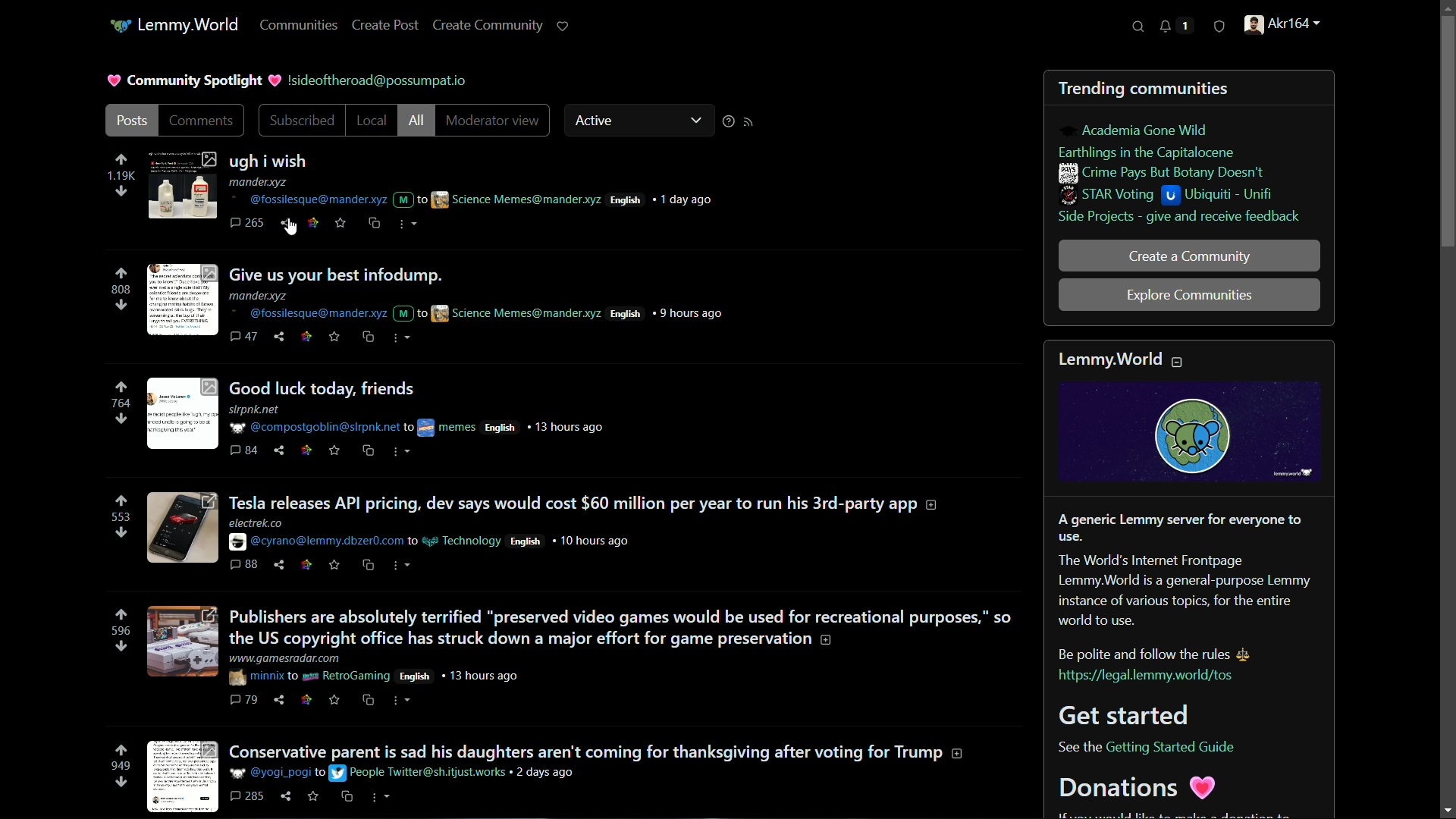 Image resolution: width=1456 pixels, height=819 pixels. Describe the element at coordinates (577, 1344) in the screenshot. I see `` at that location.